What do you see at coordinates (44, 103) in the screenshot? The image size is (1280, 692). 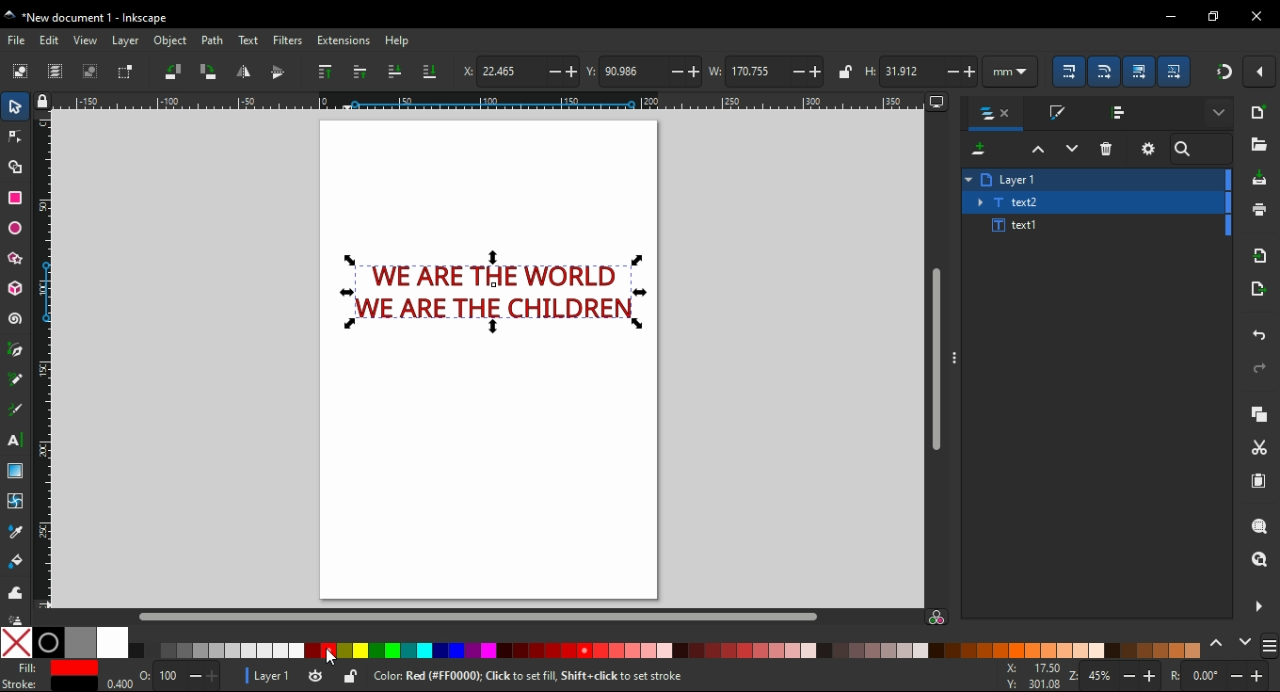 I see `lock` at bounding box center [44, 103].